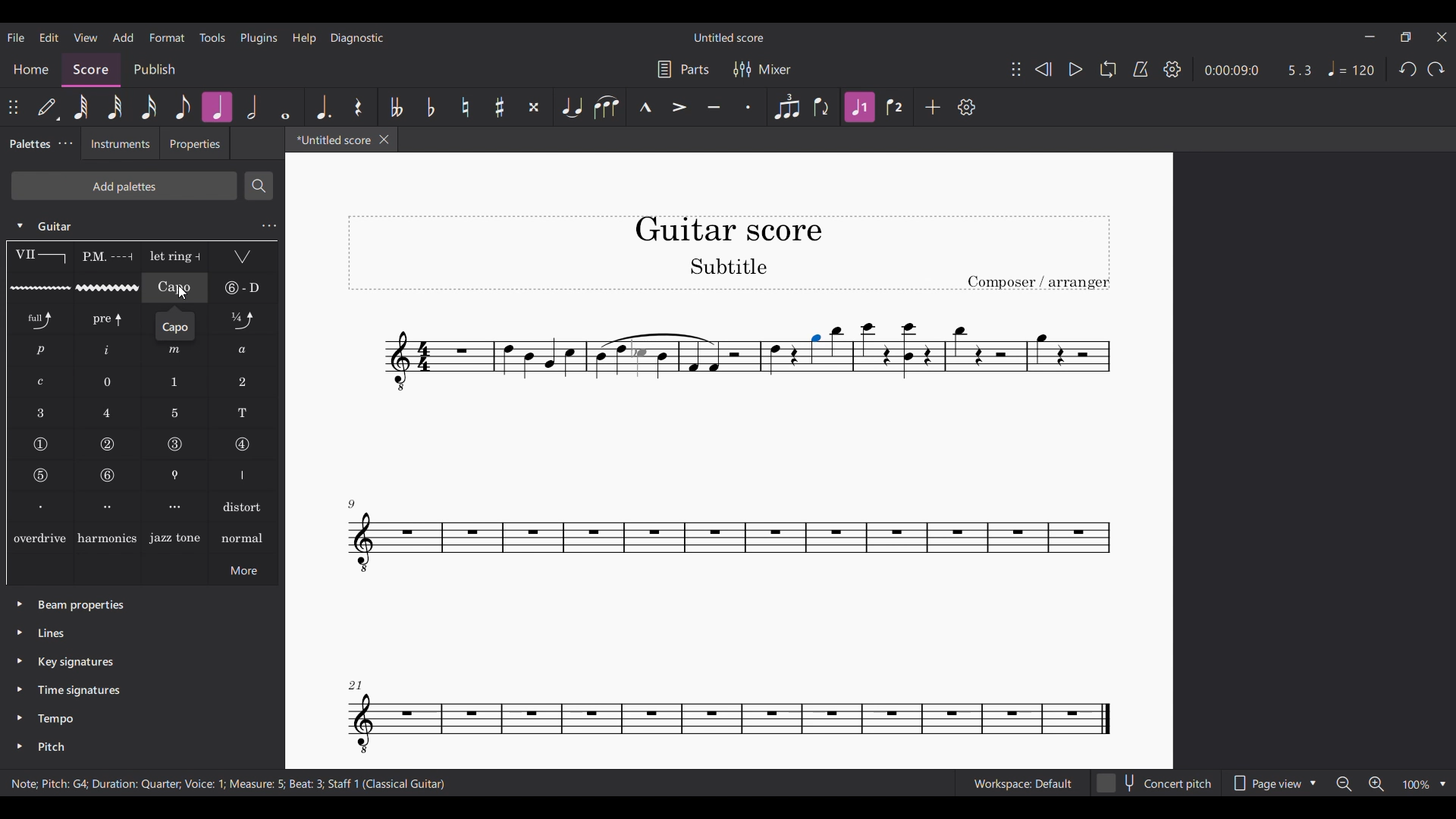 This screenshot has width=1456, height=819. I want to click on Settings, so click(967, 107).